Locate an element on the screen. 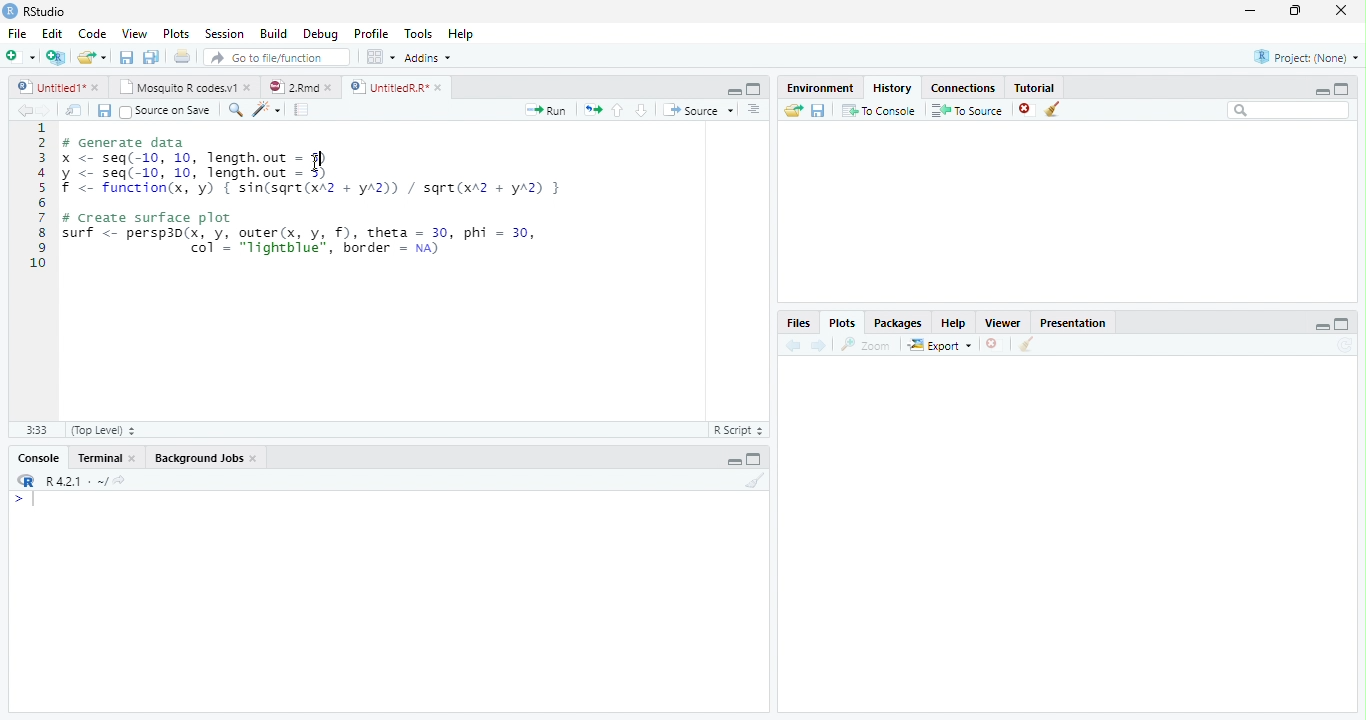 The image size is (1366, 720). Maximize is located at coordinates (753, 461).